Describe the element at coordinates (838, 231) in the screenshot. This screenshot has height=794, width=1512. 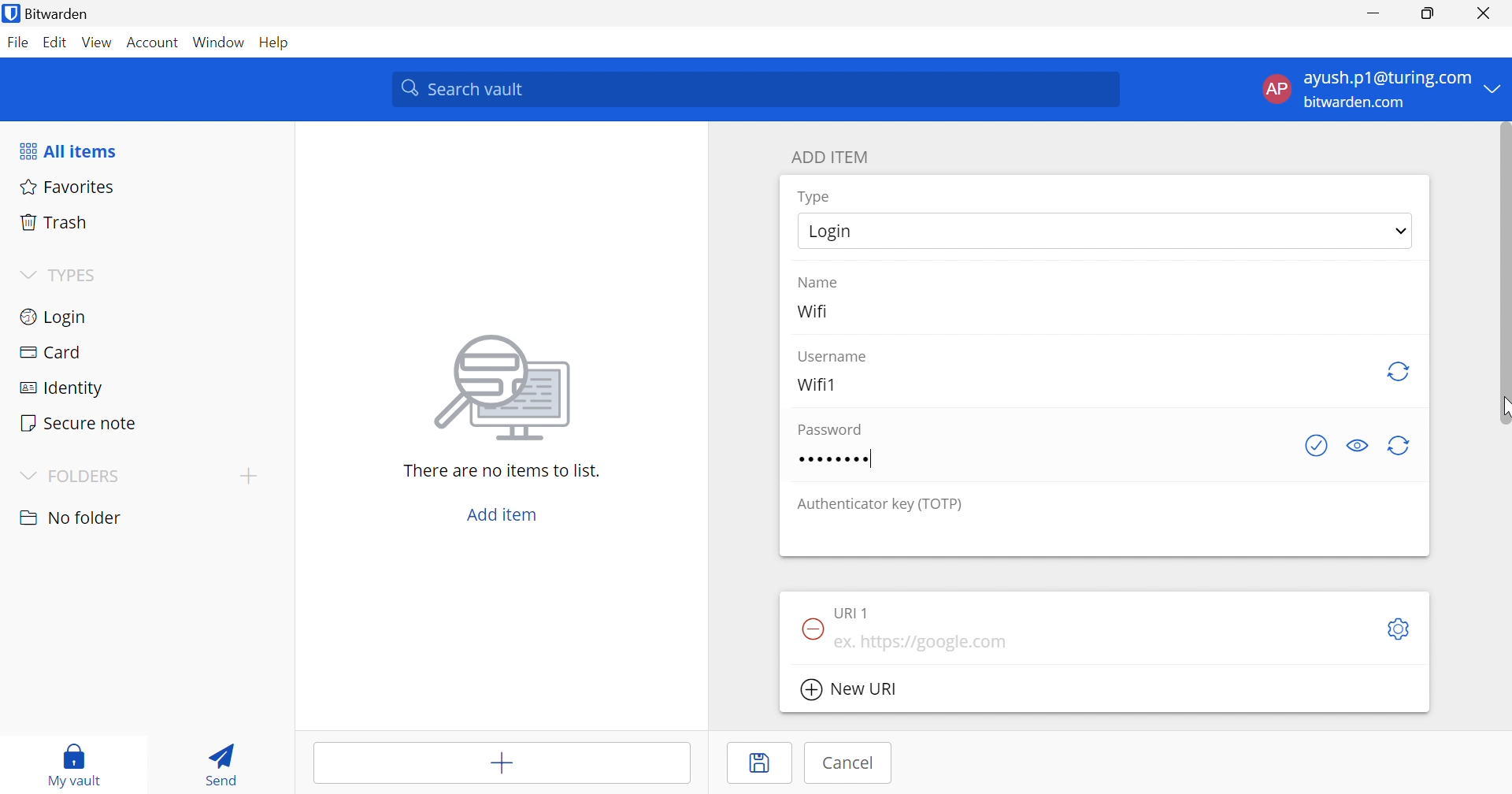
I see `Login` at that location.